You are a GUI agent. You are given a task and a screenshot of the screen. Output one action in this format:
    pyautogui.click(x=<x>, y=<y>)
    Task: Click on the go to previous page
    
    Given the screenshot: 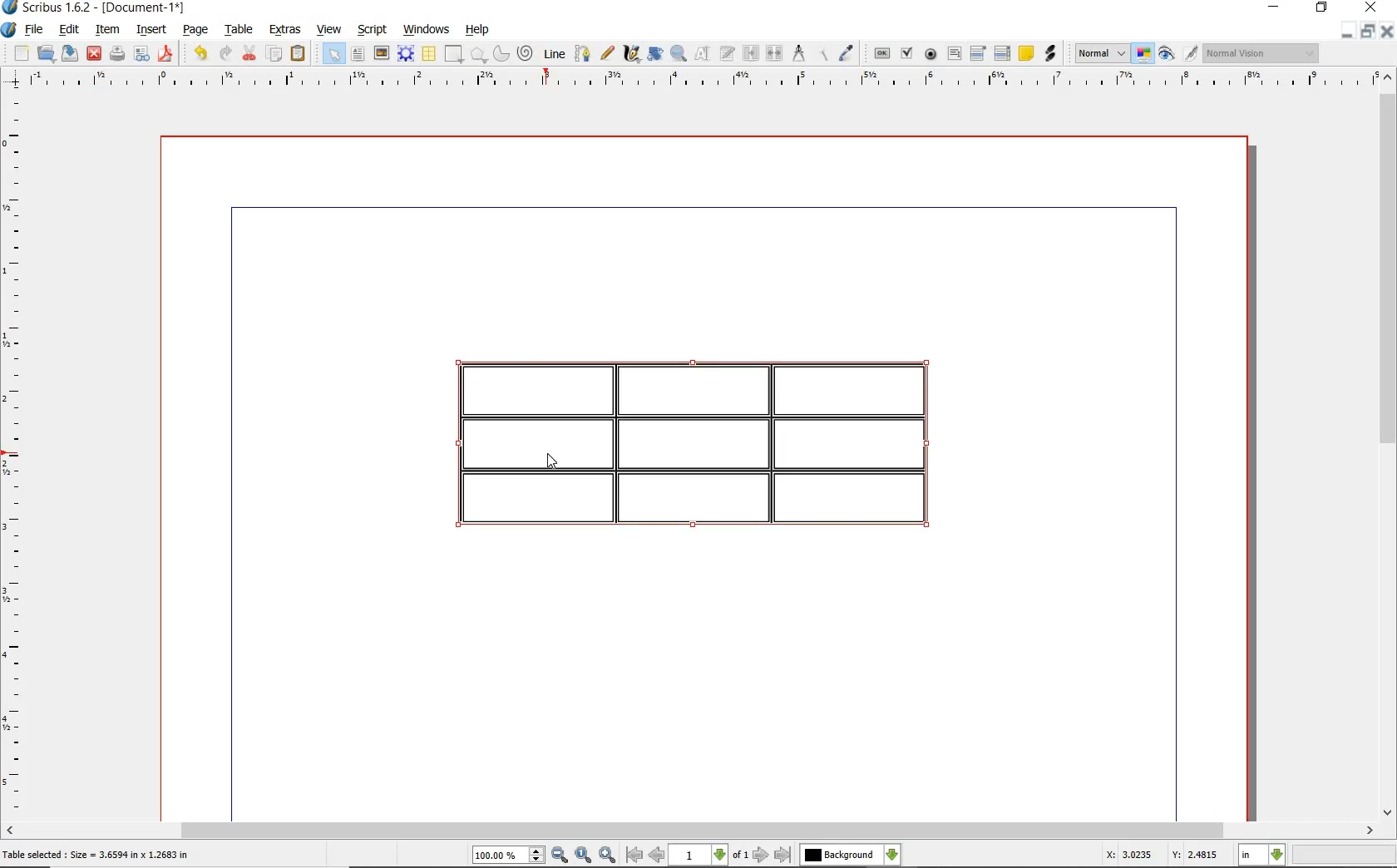 What is the action you would take?
    pyautogui.click(x=657, y=856)
    